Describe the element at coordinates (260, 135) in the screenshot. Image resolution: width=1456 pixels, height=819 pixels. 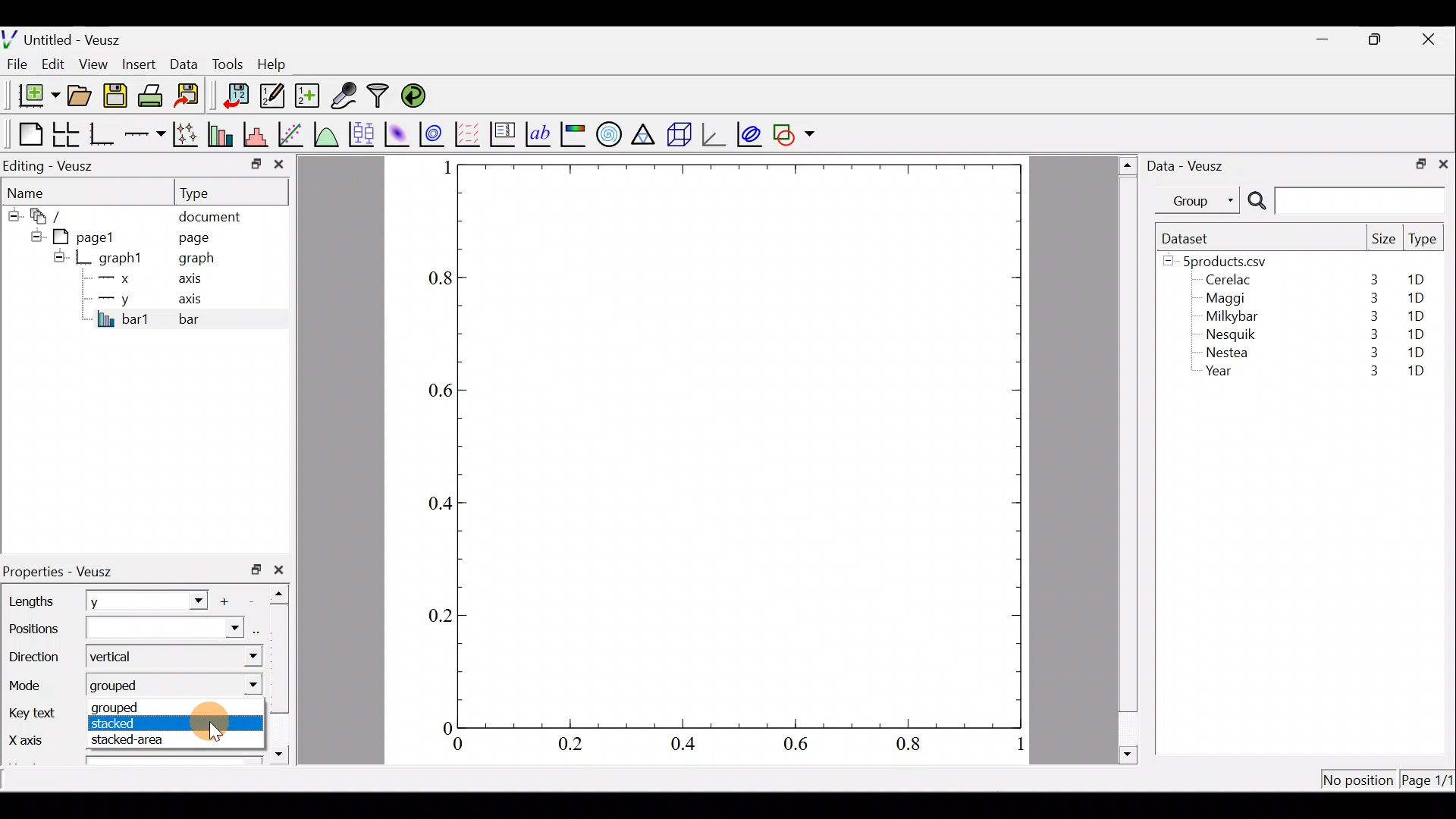
I see `Histogram of a dataset` at that location.